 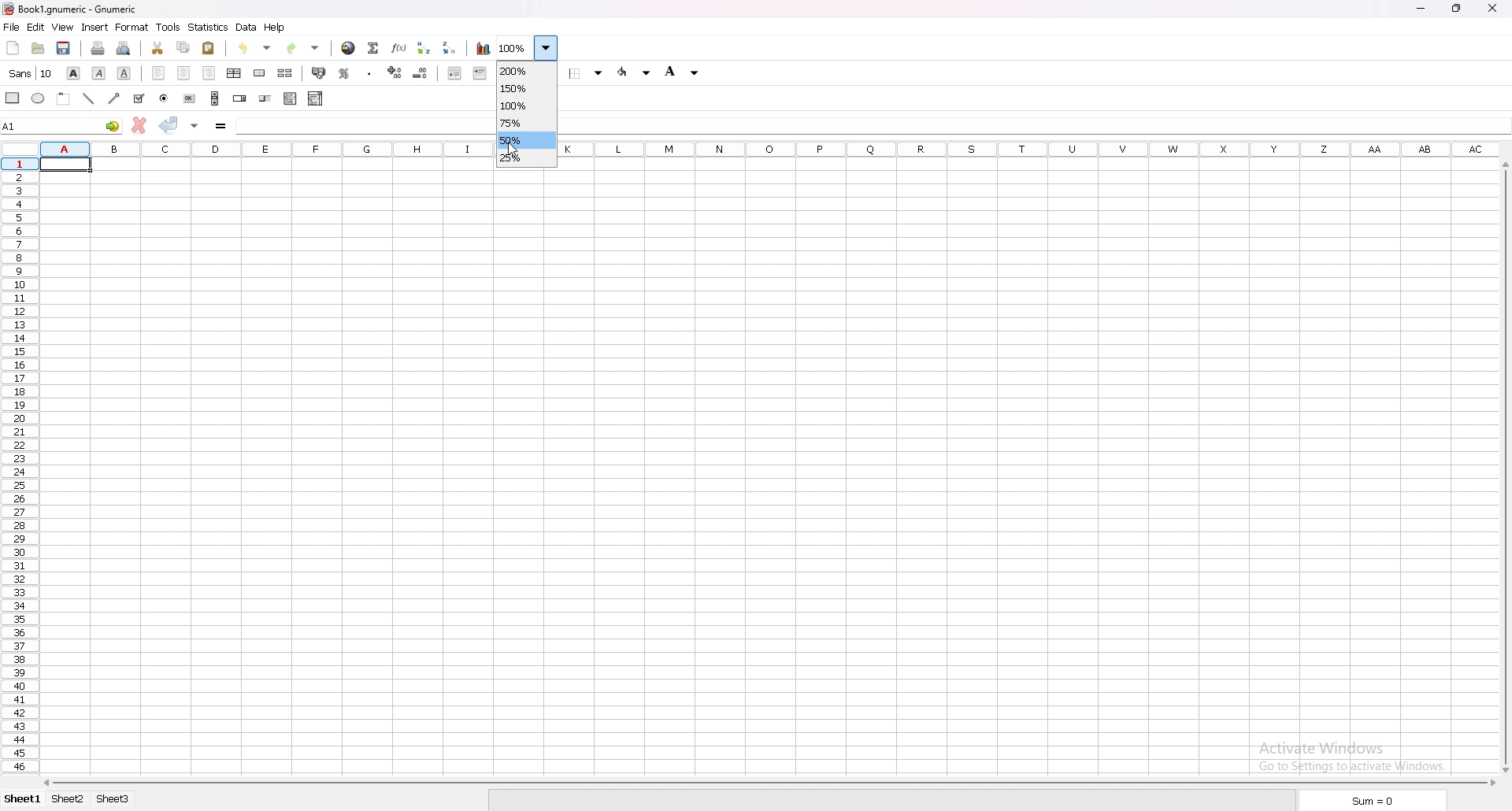 What do you see at coordinates (183, 47) in the screenshot?
I see `copy` at bounding box center [183, 47].